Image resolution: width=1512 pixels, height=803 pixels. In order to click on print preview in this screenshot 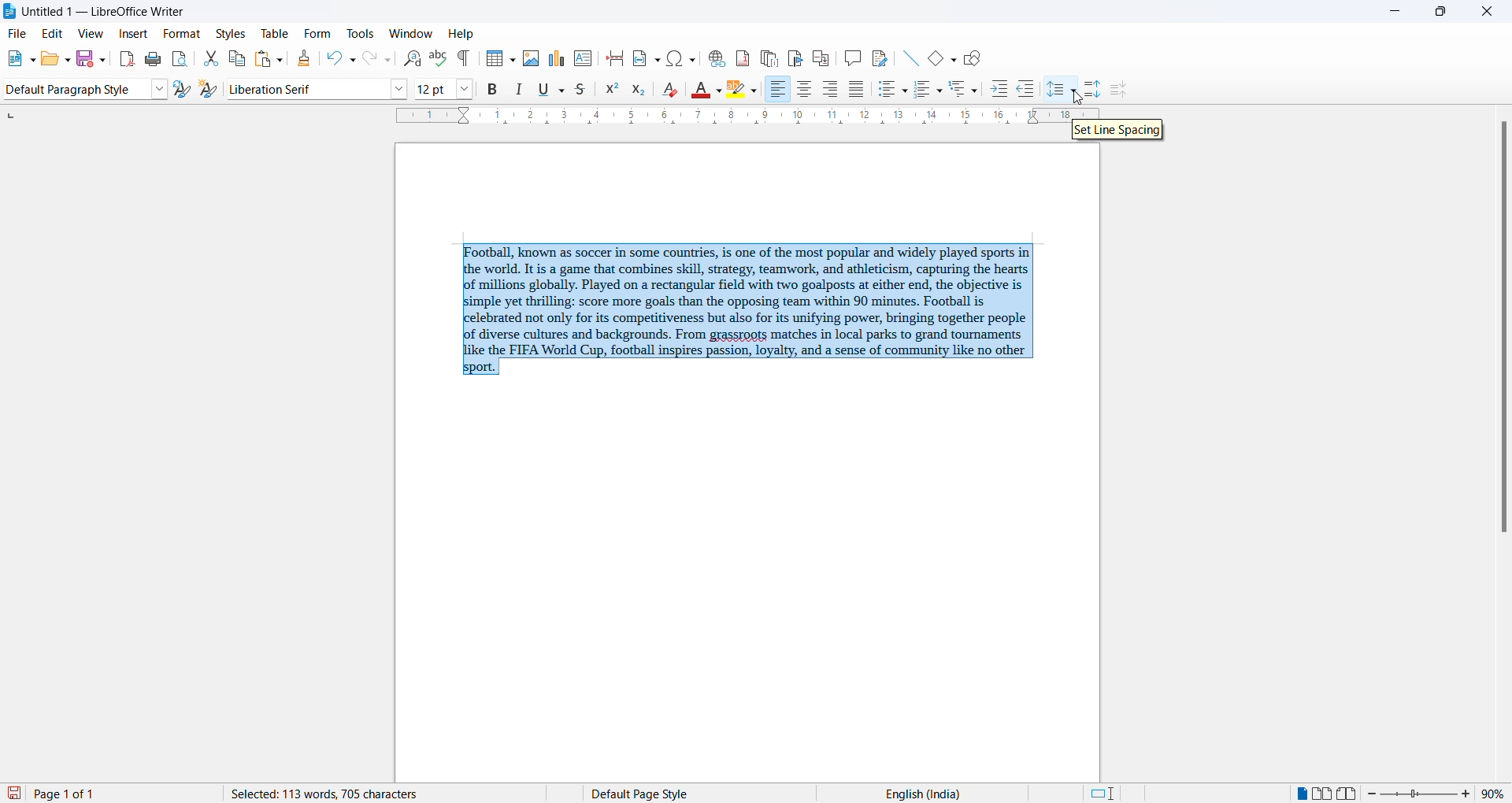, I will do `click(182, 58)`.